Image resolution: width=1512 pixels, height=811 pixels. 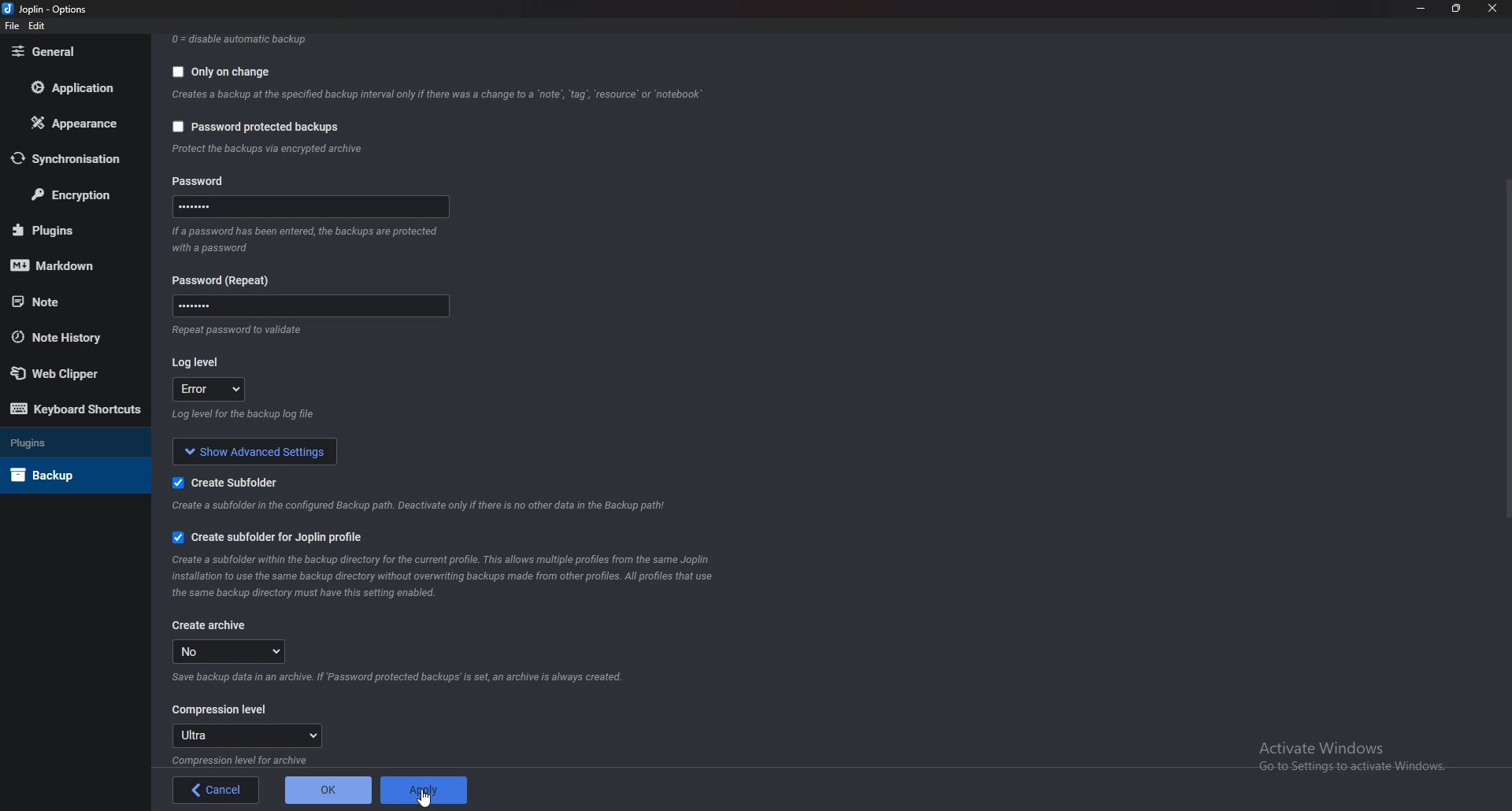 What do you see at coordinates (206, 183) in the screenshot?
I see `Password` at bounding box center [206, 183].